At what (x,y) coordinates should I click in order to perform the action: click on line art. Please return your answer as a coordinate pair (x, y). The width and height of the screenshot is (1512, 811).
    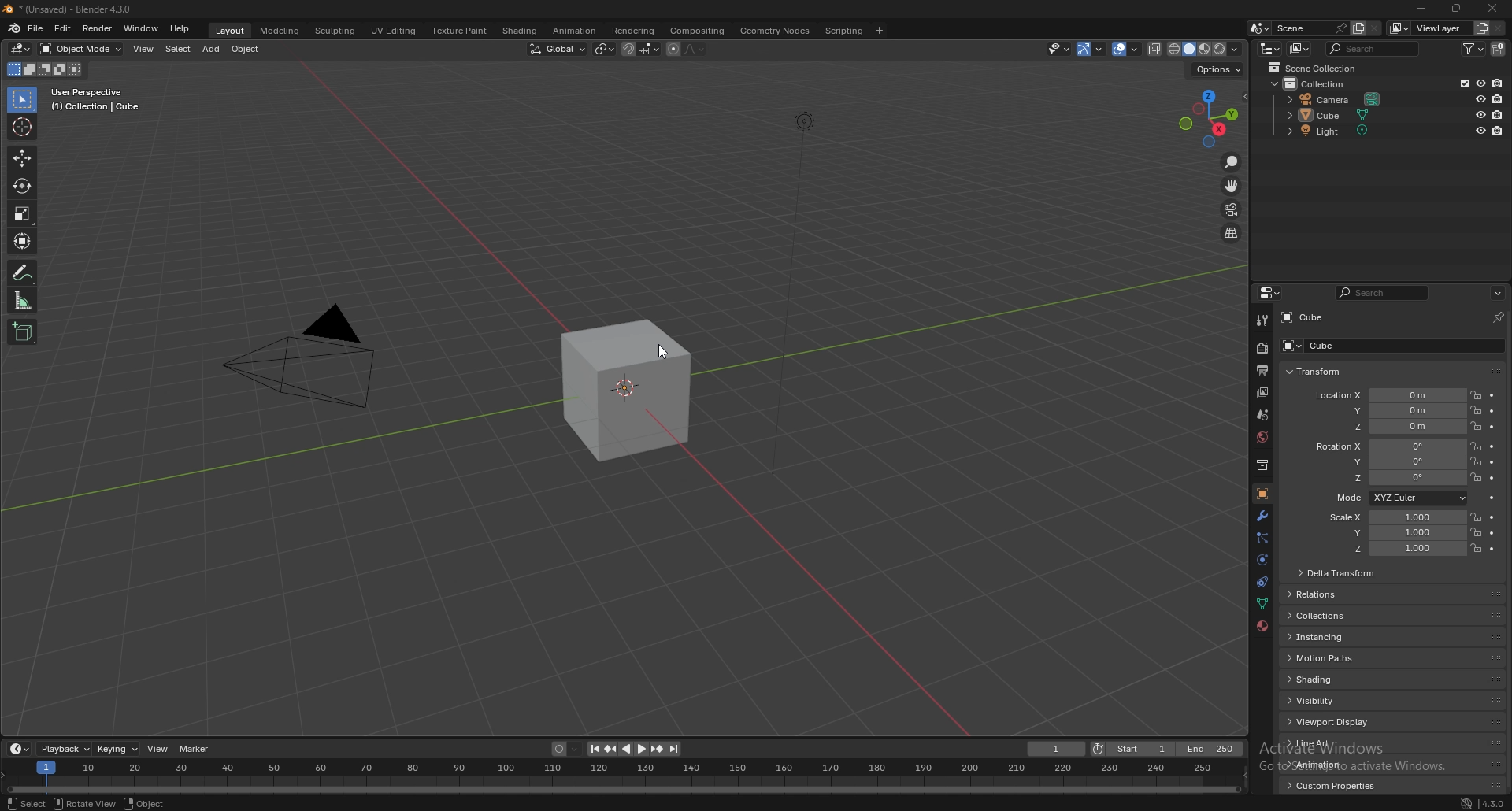
    Looking at the image, I should click on (1327, 744).